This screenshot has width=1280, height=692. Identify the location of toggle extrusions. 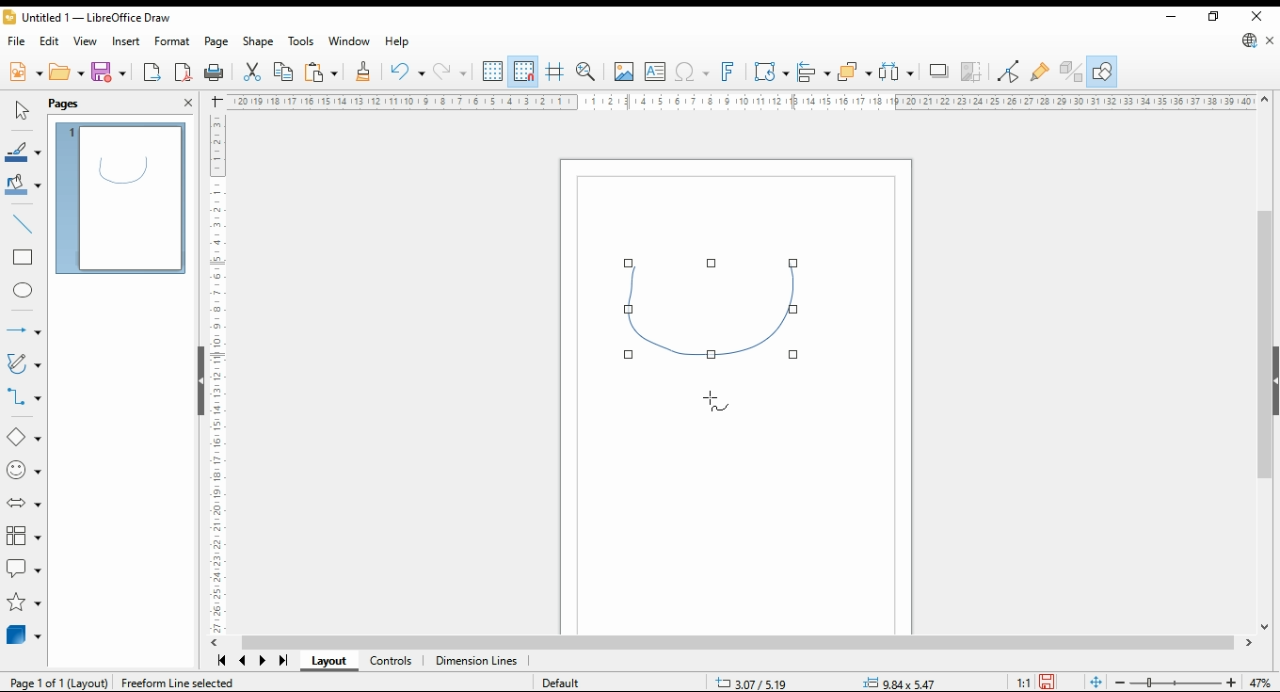
(1070, 72).